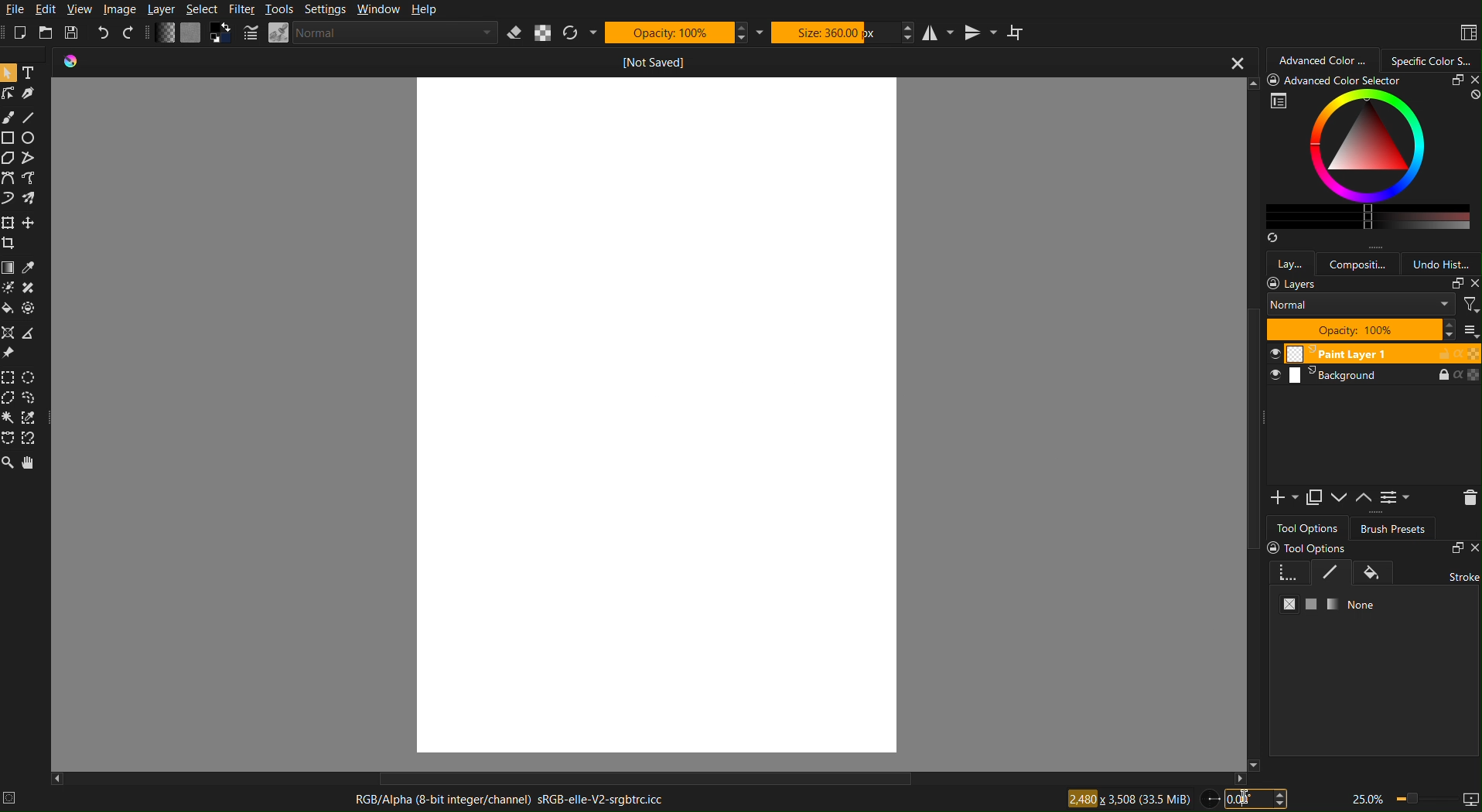 The image size is (1482, 812). Describe the element at coordinates (1443, 263) in the screenshot. I see `Undo History` at that location.